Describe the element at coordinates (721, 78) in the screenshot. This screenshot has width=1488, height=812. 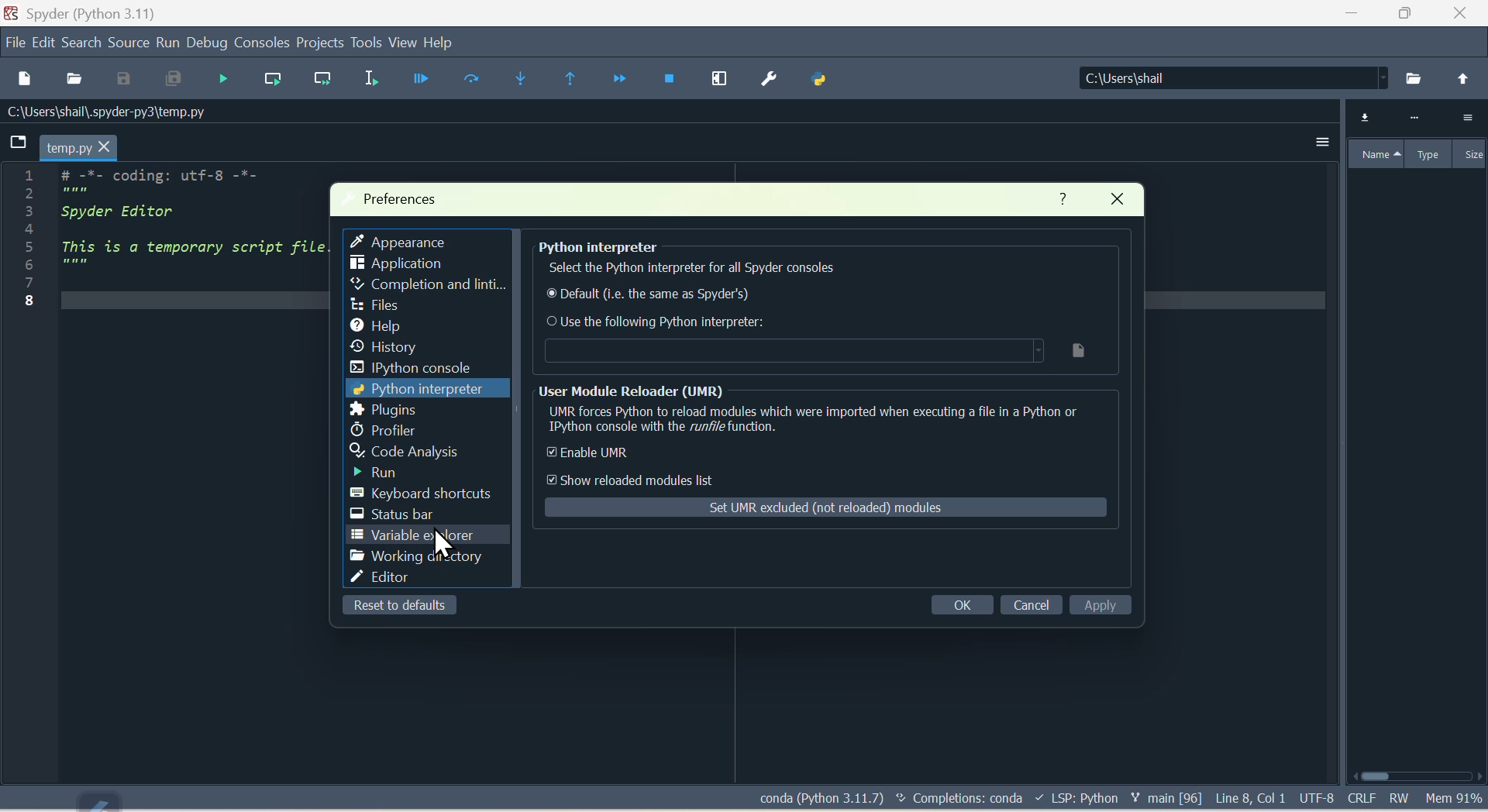
I see `Maximise current window` at that location.